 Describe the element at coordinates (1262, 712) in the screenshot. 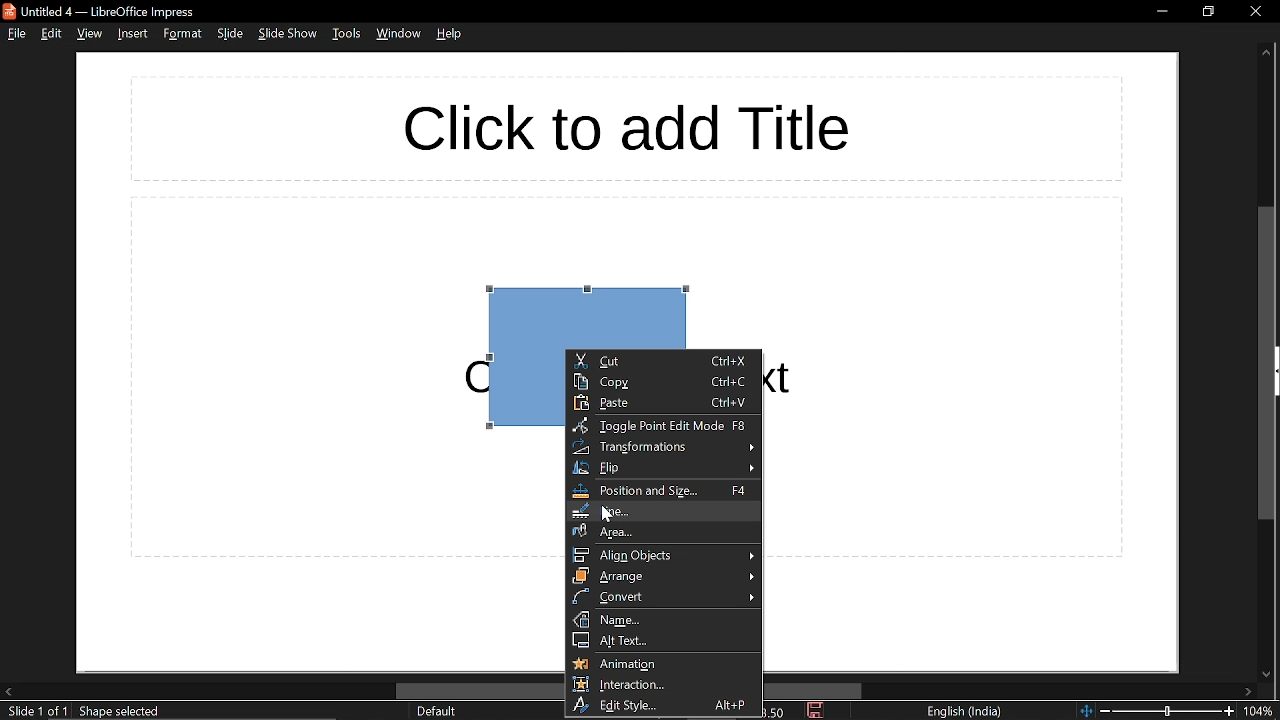

I see `zoom` at that location.